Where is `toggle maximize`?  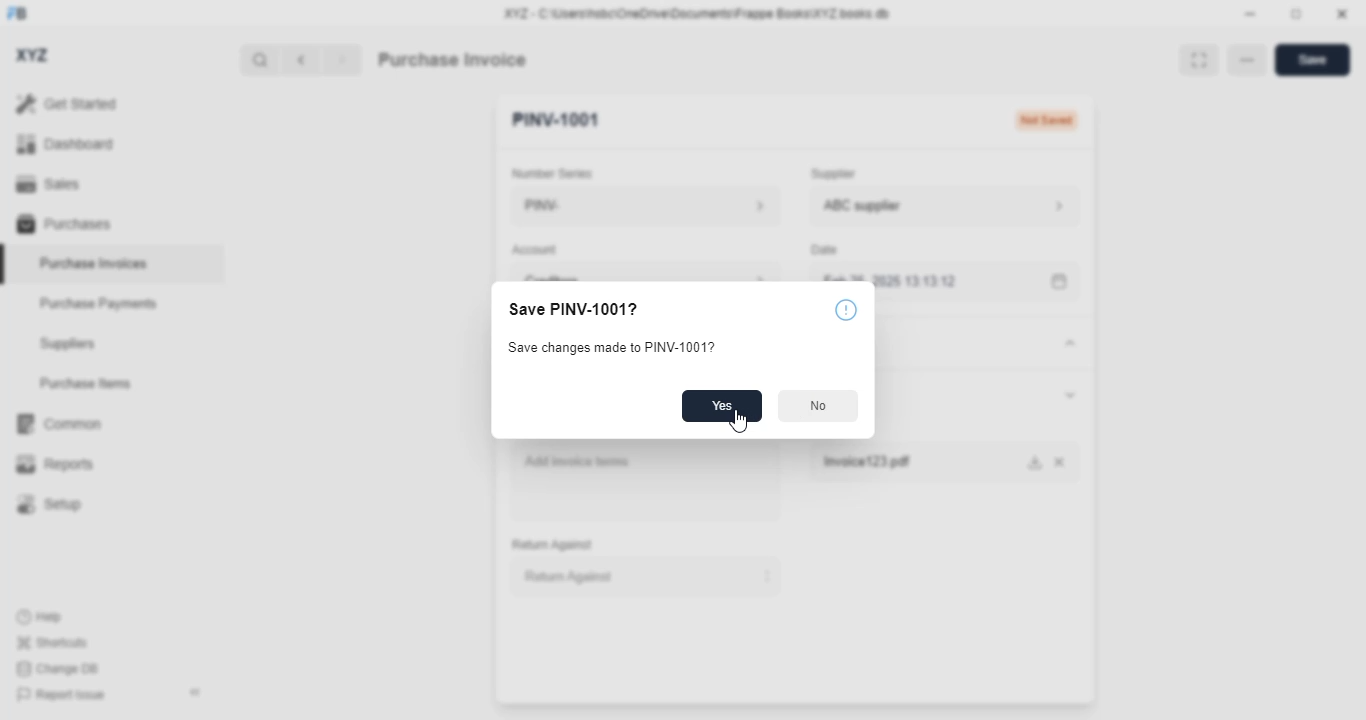
toggle maximize is located at coordinates (1295, 13).